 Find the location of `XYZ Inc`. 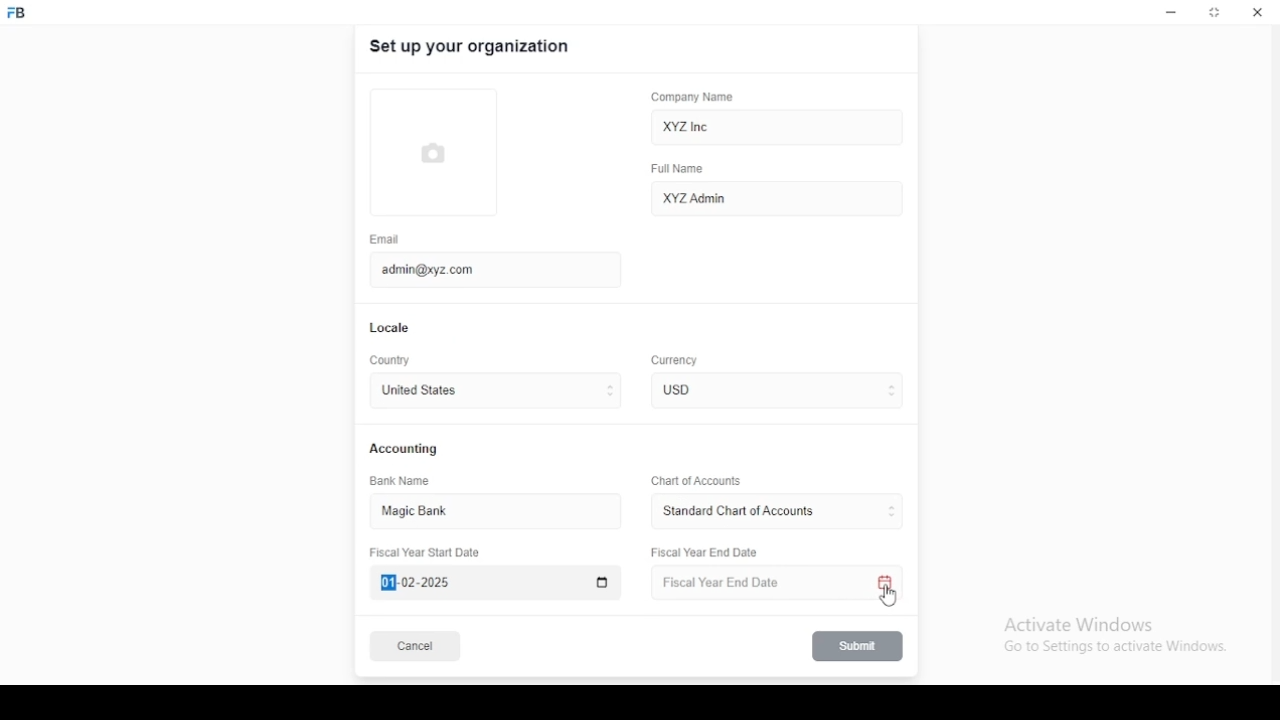

XYZ Inc is located at coordinates (779, 128).